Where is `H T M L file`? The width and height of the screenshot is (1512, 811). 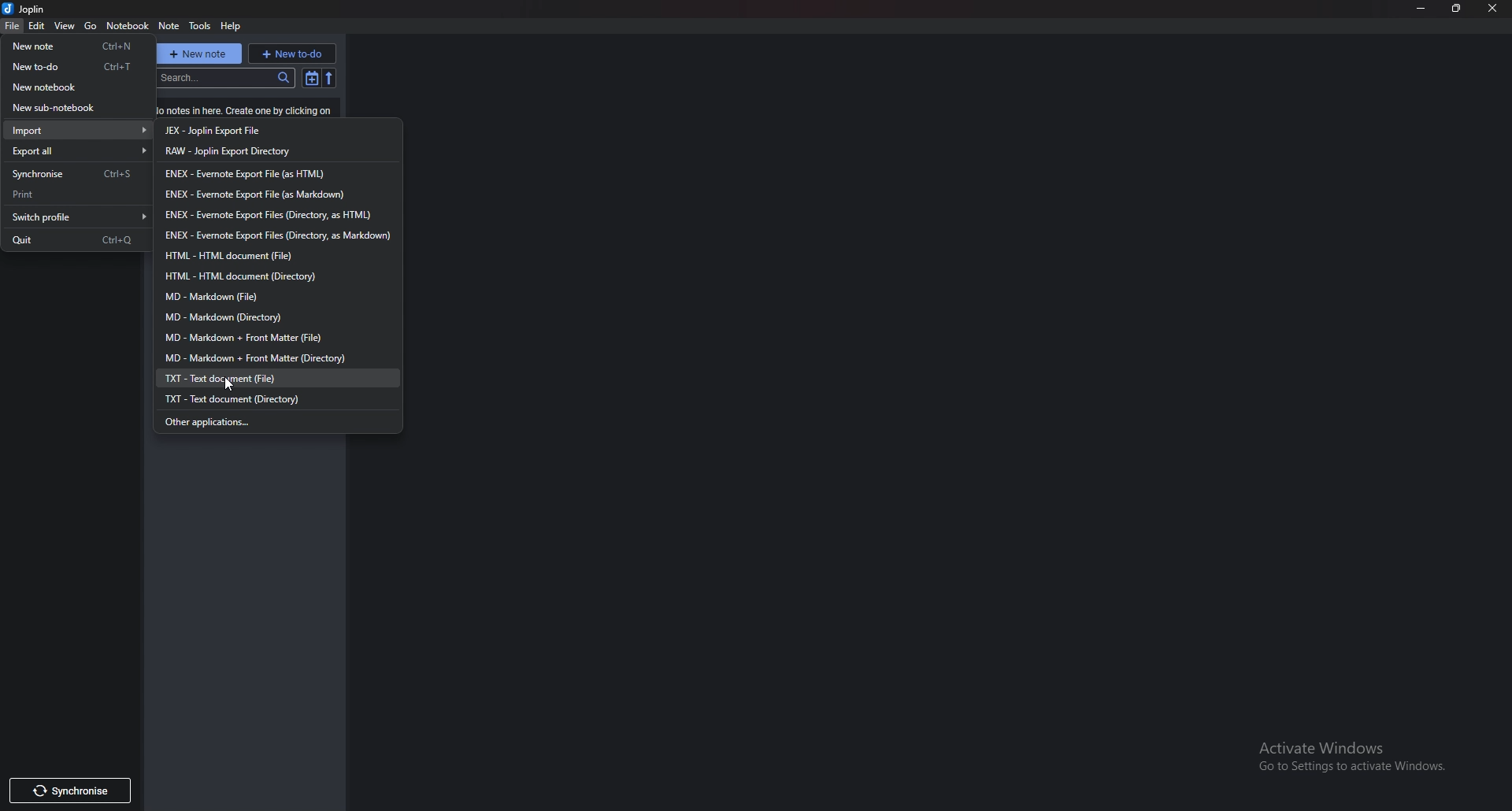 H T M L file is located at coordinates (239, 256).